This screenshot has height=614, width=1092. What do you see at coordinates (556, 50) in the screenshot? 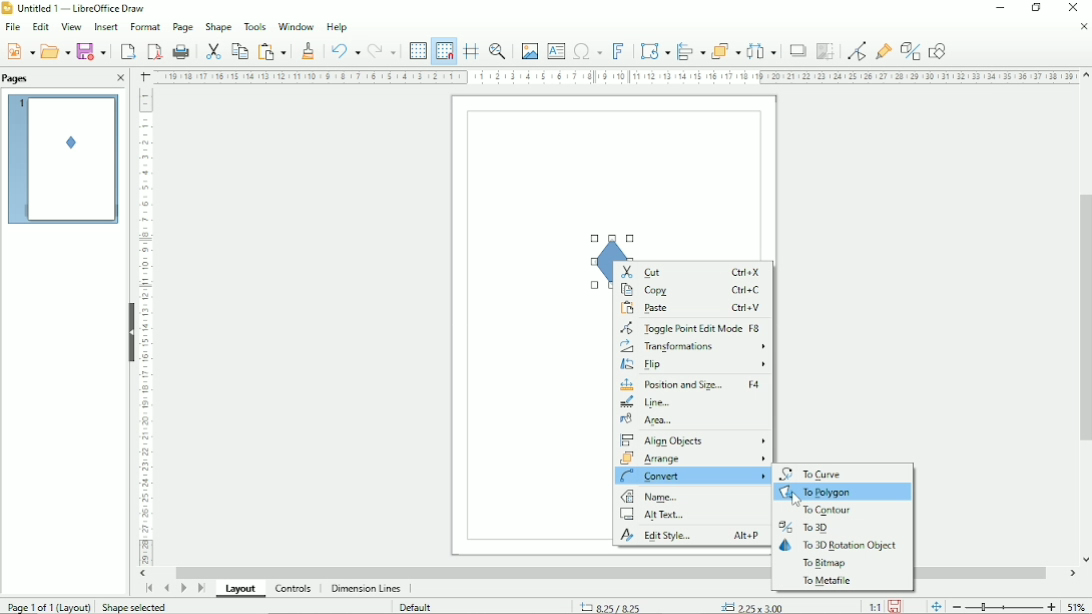
I see `Insert text box` at bounding box center [556, 50].